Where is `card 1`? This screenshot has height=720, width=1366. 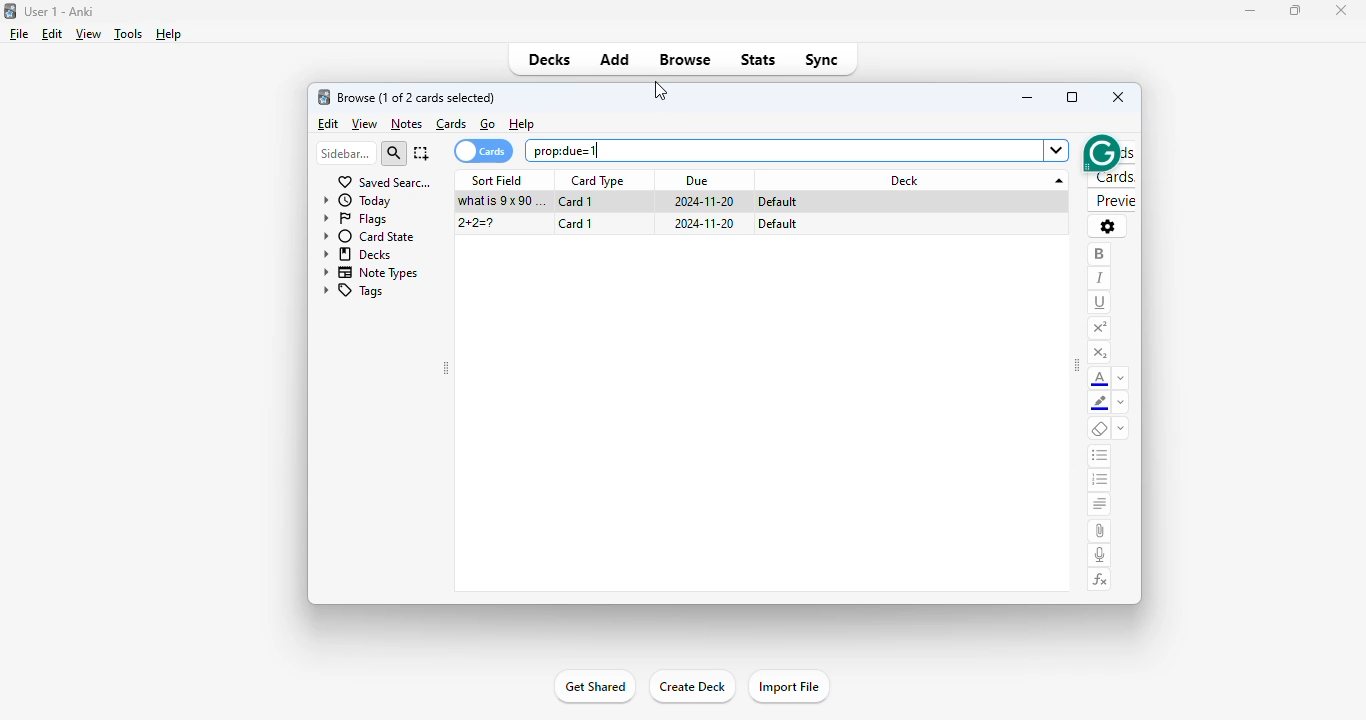 card 1 is located at coordinates (575, 223).